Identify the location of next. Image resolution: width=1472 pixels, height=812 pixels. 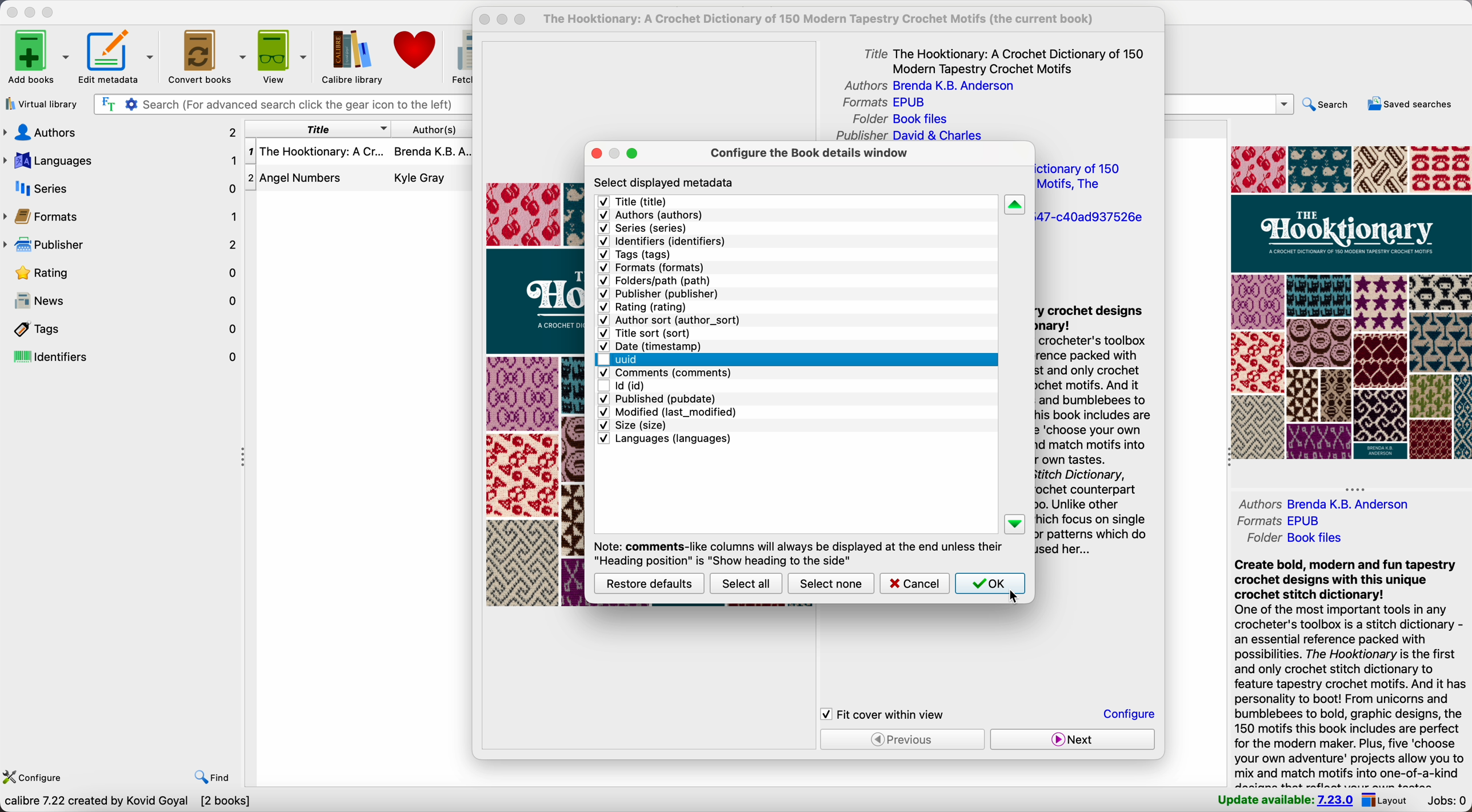
(1071, 739).